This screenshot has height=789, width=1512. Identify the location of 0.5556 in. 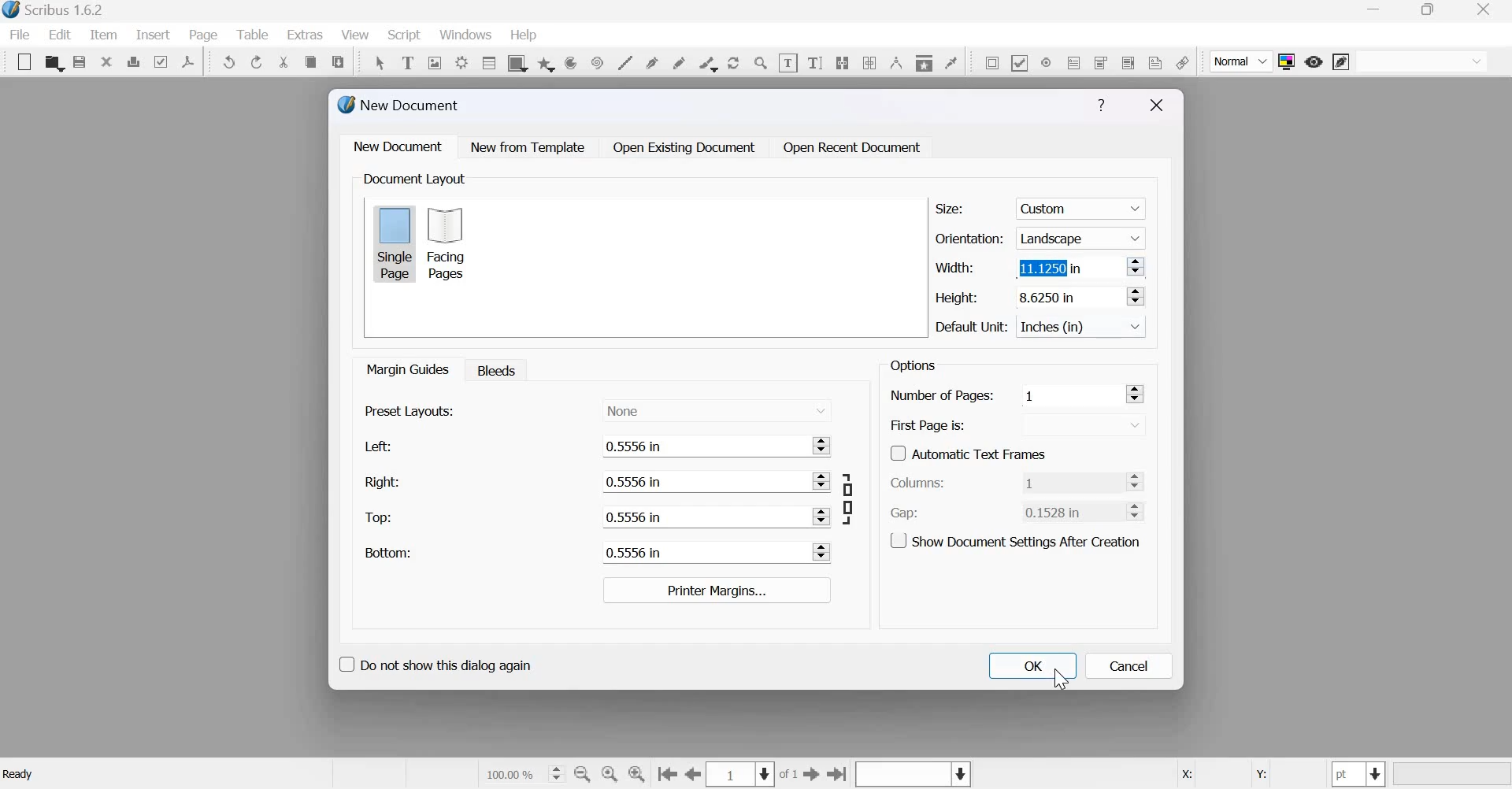
(702, 516).